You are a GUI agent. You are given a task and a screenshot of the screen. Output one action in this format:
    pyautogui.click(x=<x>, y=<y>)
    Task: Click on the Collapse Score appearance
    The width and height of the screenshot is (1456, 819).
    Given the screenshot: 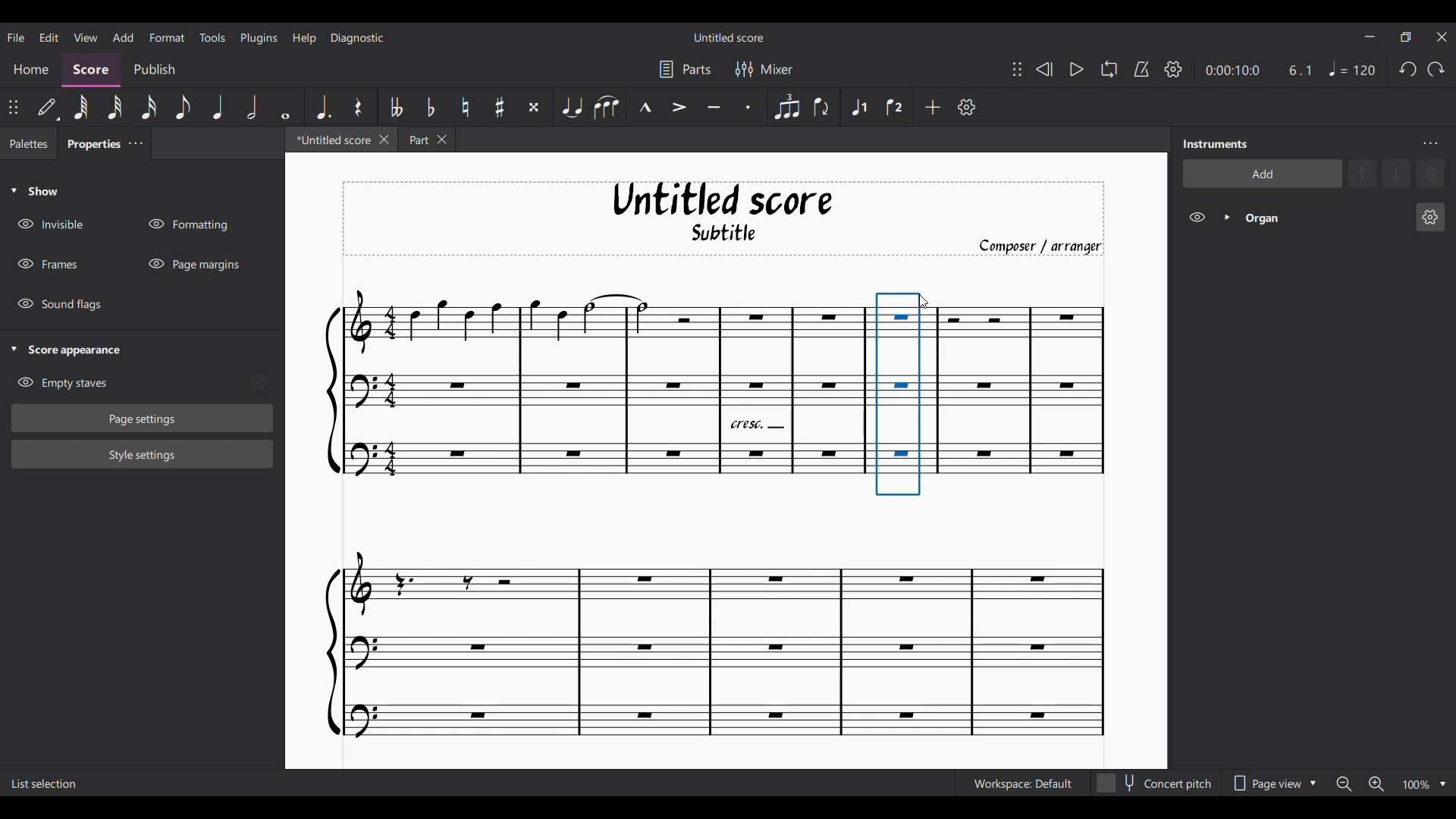 What is the action you would take?
    pyautogui.click(x=67, y=351)
    